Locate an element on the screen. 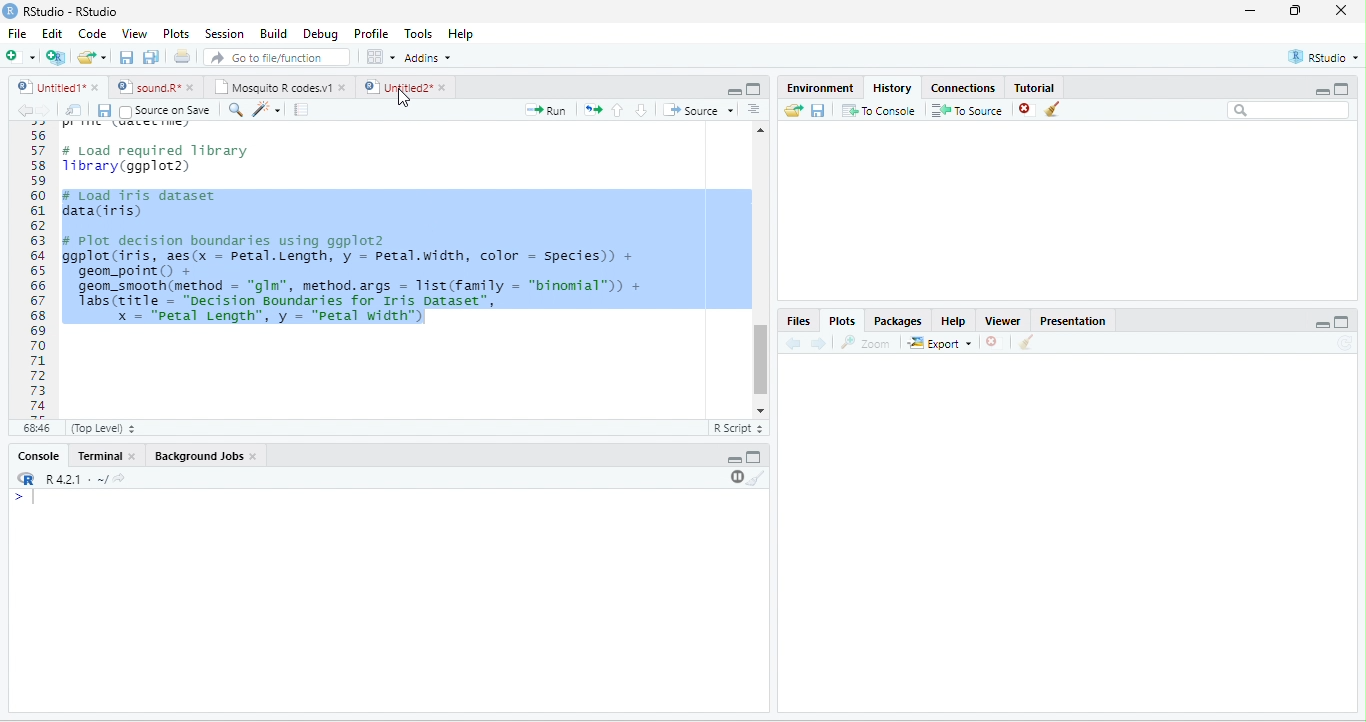  down is located at coordinates (641, 110).